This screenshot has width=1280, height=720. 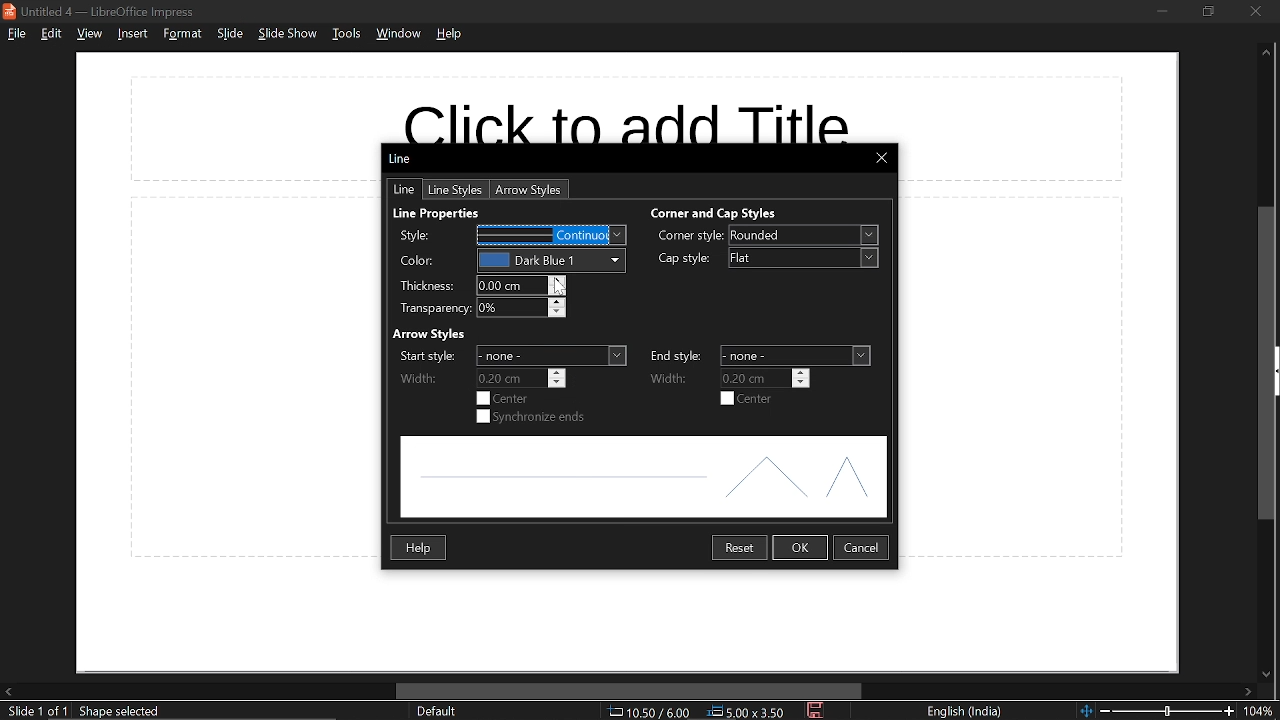 What do you see at coordinates (420, 549) in the screenshot?
I see `help` at bounding box center [420, 549].